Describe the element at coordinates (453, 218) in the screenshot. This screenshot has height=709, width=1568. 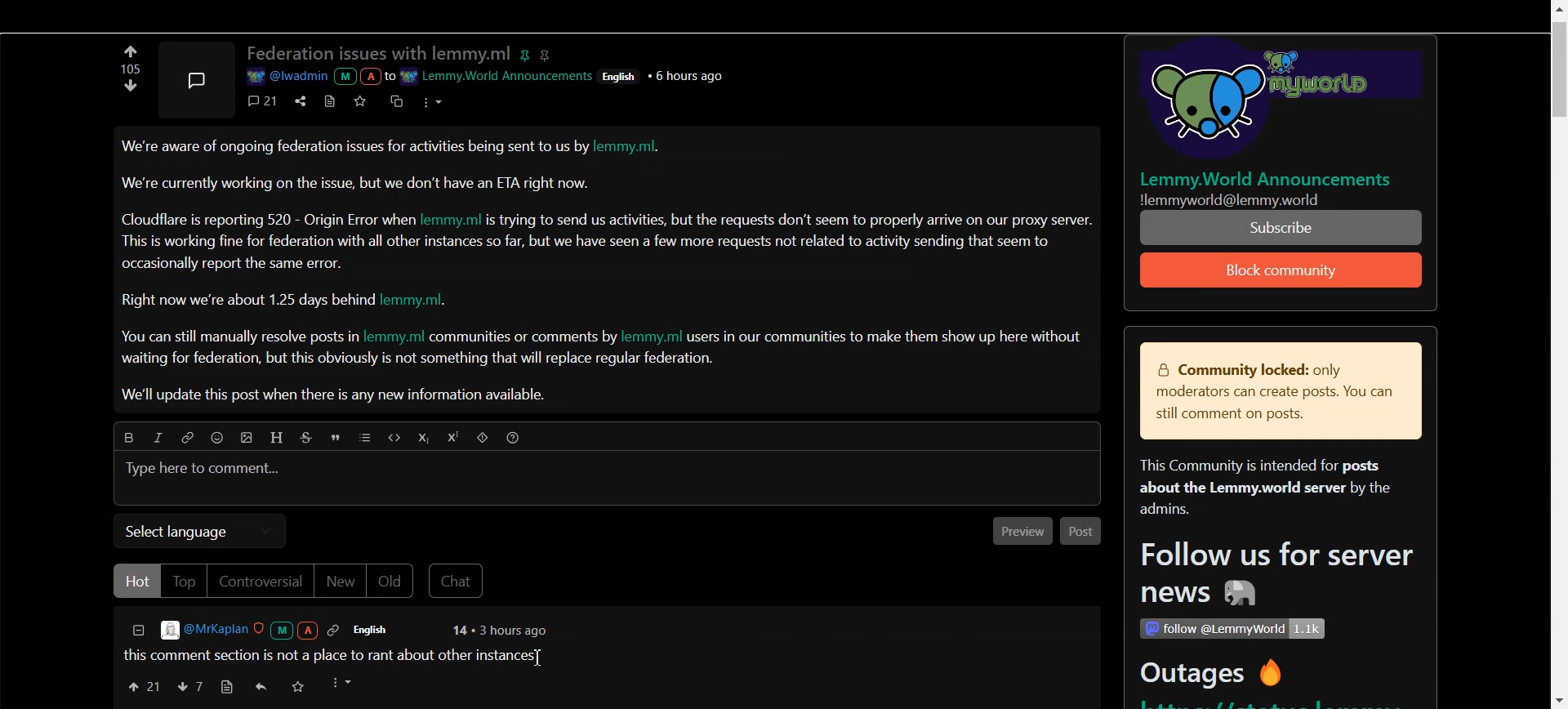
I see `lemmy.ml` at that location.